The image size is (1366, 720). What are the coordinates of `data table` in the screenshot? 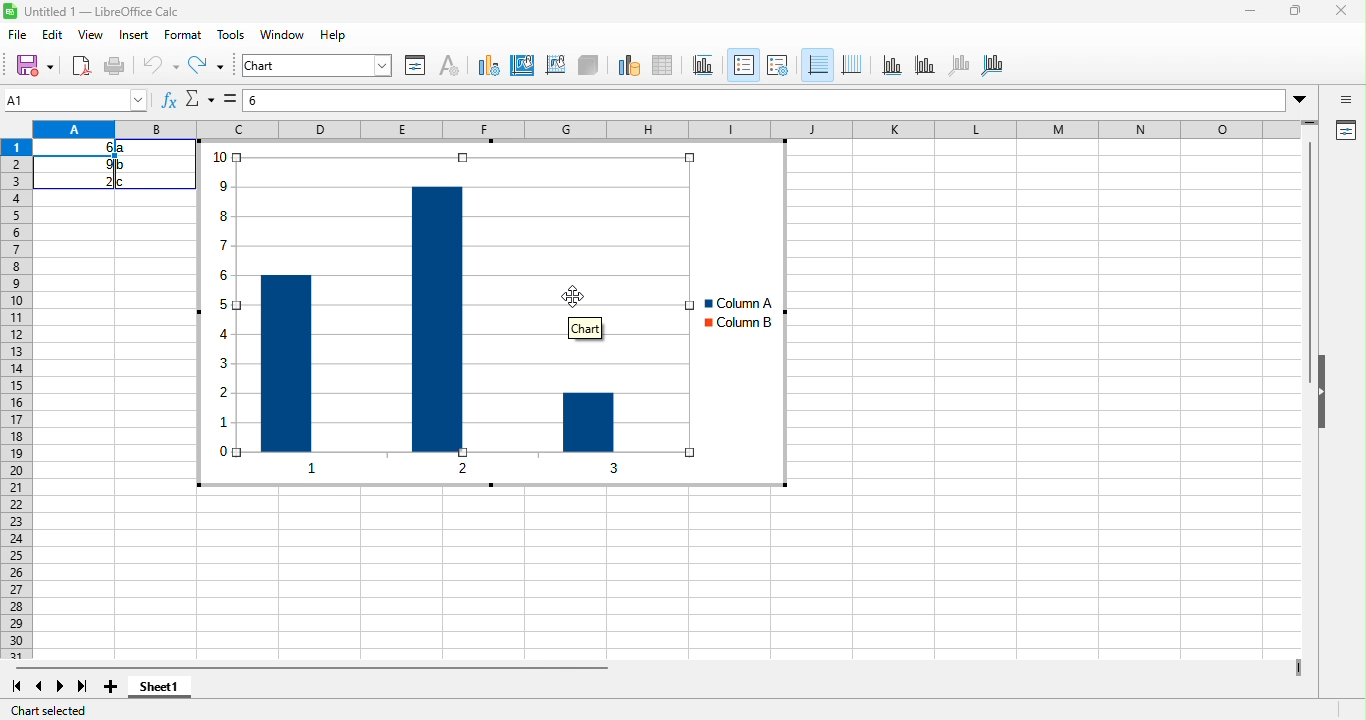 It's located at (666, 66).